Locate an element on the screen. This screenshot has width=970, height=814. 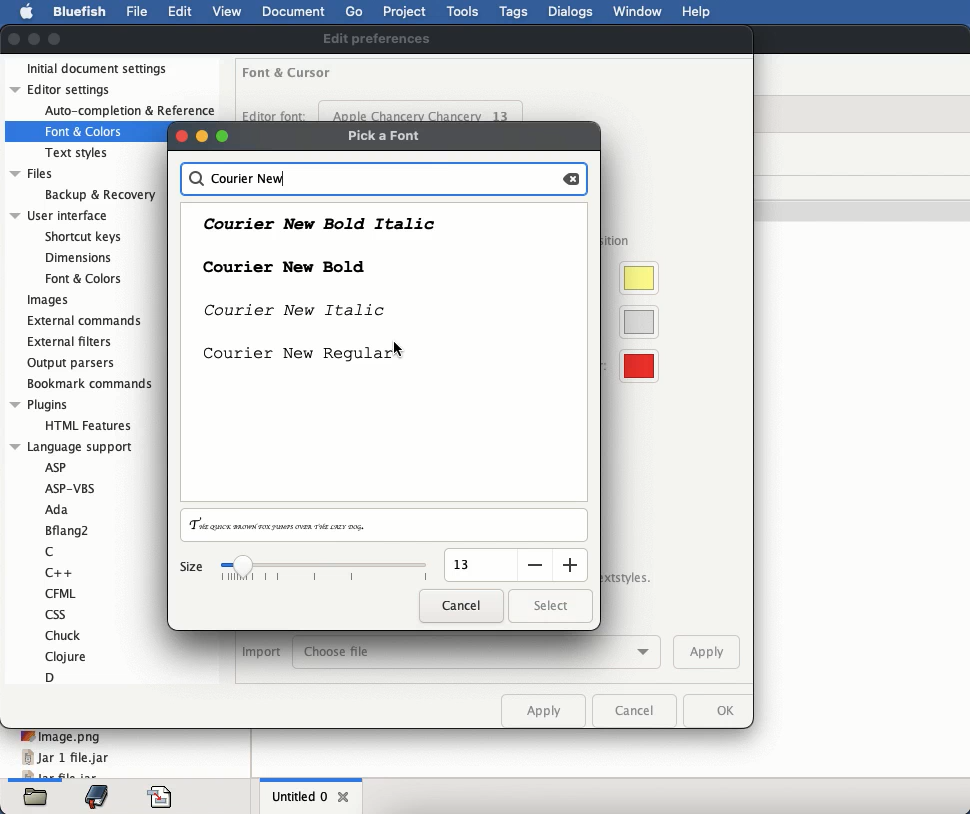
courier new is located at coordinates (249, 179).